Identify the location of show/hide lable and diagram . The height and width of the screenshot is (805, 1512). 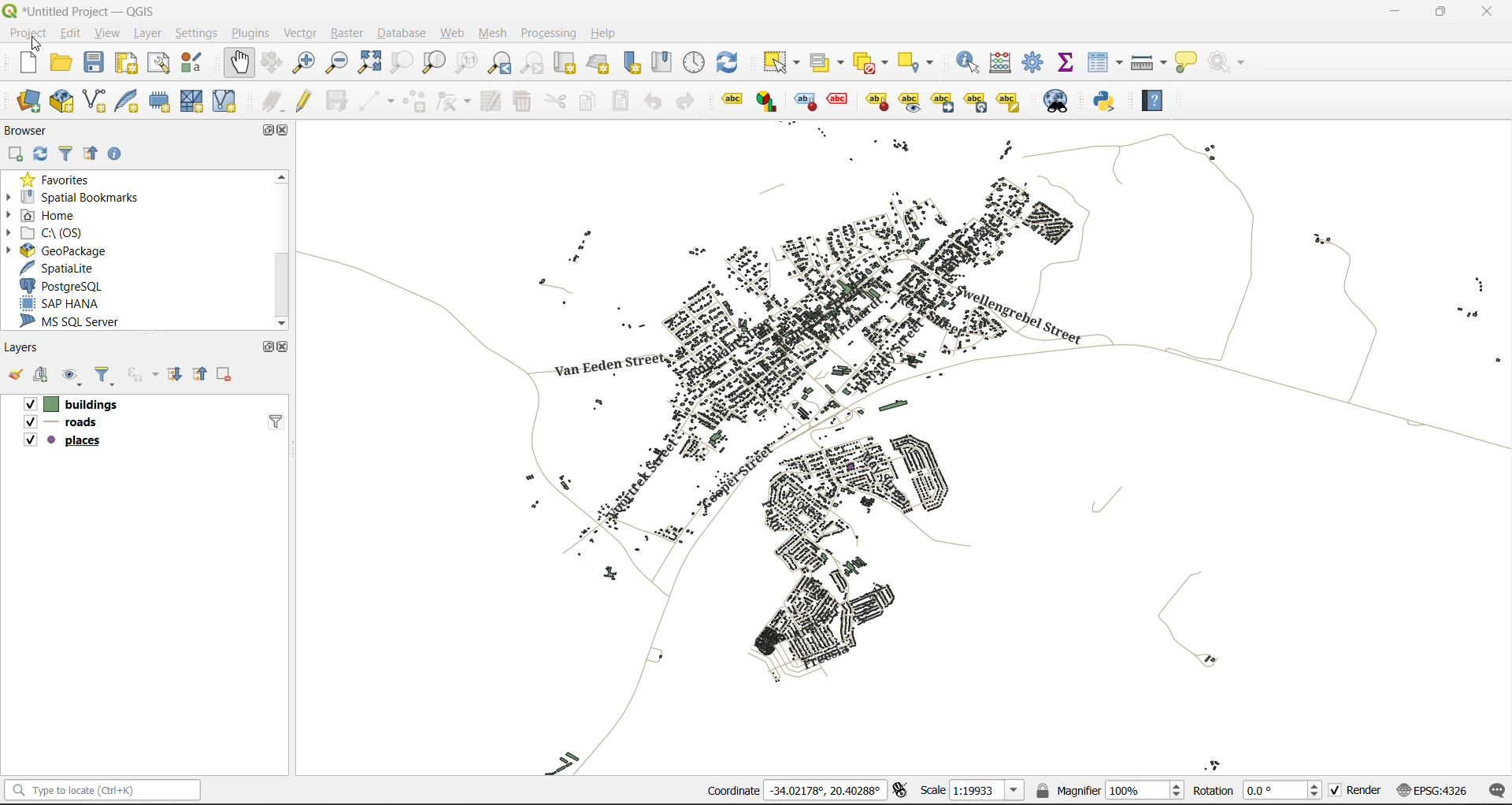
(876, 100).